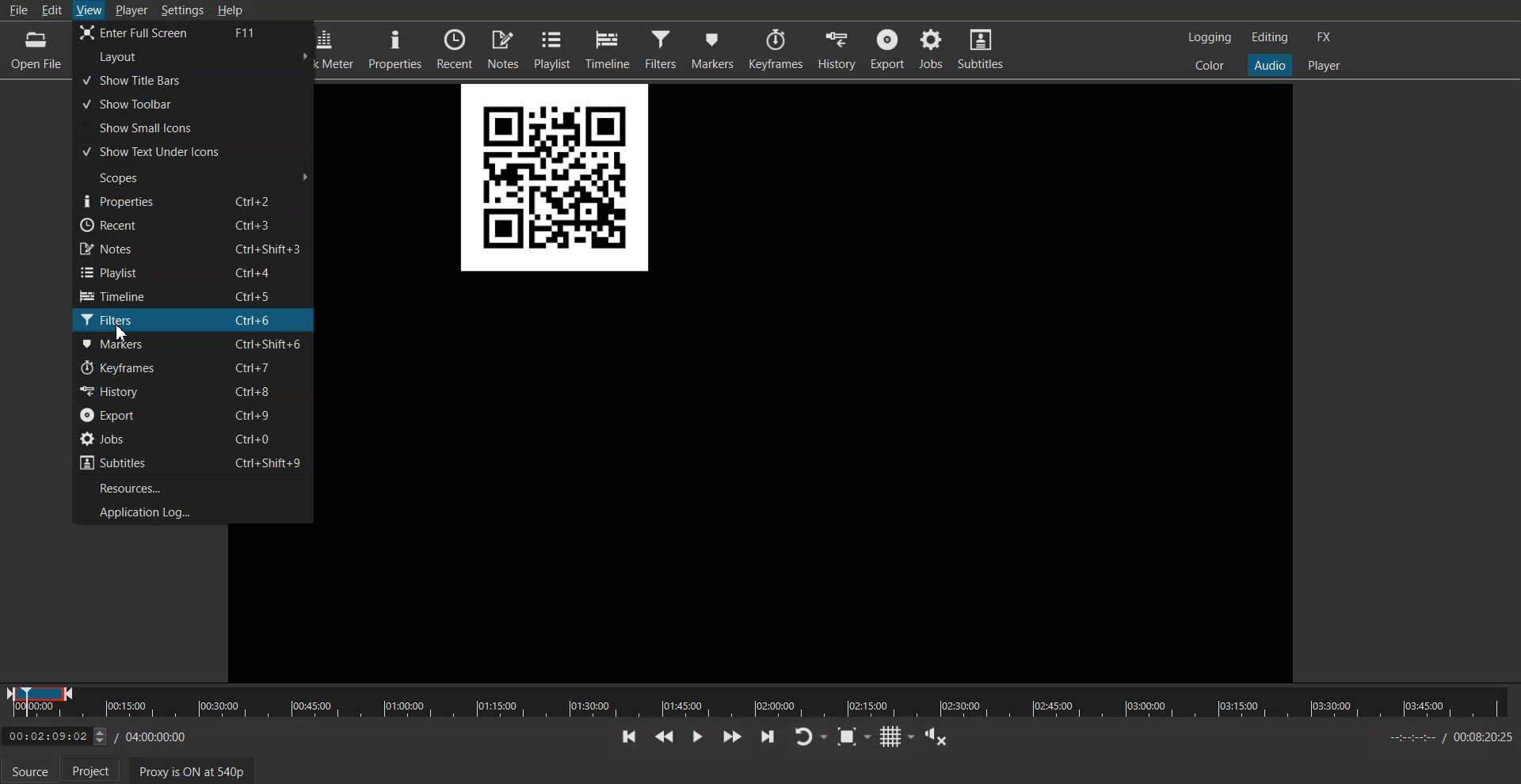 Image resolution: width=1521 pixels, height=784 pixels. Describe the element at coordinates (835, 49) in the screenshot. I see `History` at that location.